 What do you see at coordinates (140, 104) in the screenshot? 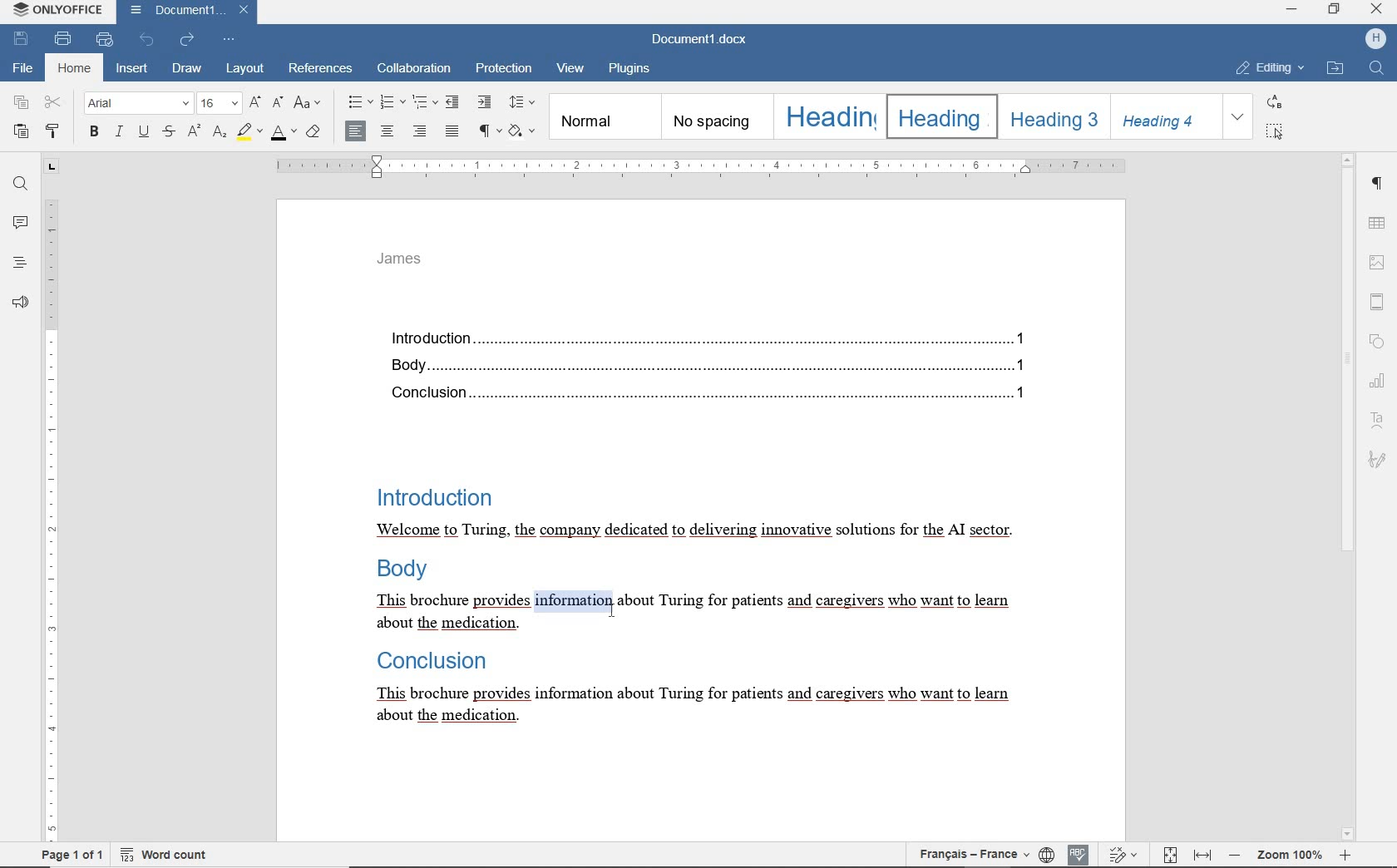
I see `FONT` at bounding box center [140, 104].